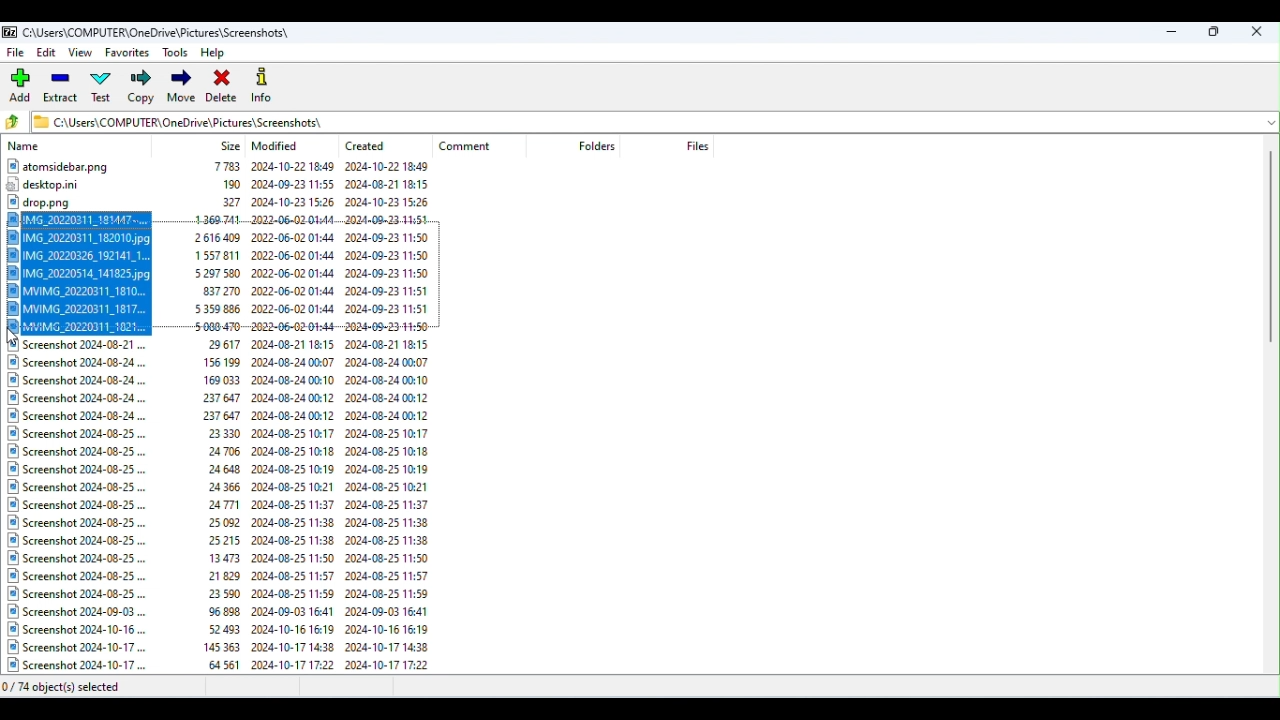  Describe the element at coordinates (62, 89) in the screenshot. I see `Extract` at that location.